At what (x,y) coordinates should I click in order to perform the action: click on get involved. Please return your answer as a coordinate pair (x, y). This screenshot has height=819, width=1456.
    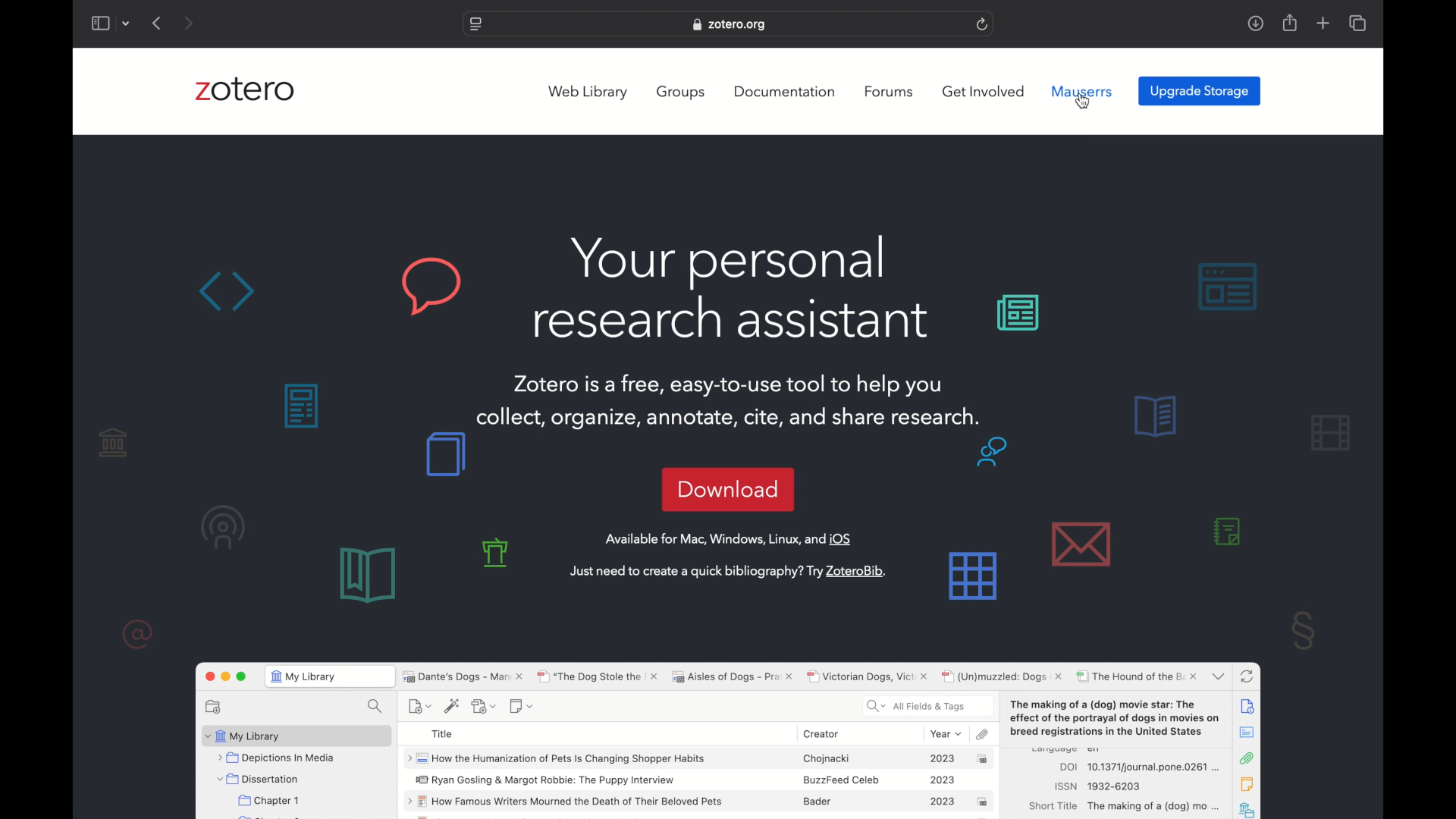
    Looking at the image, I should click on (983, 92).